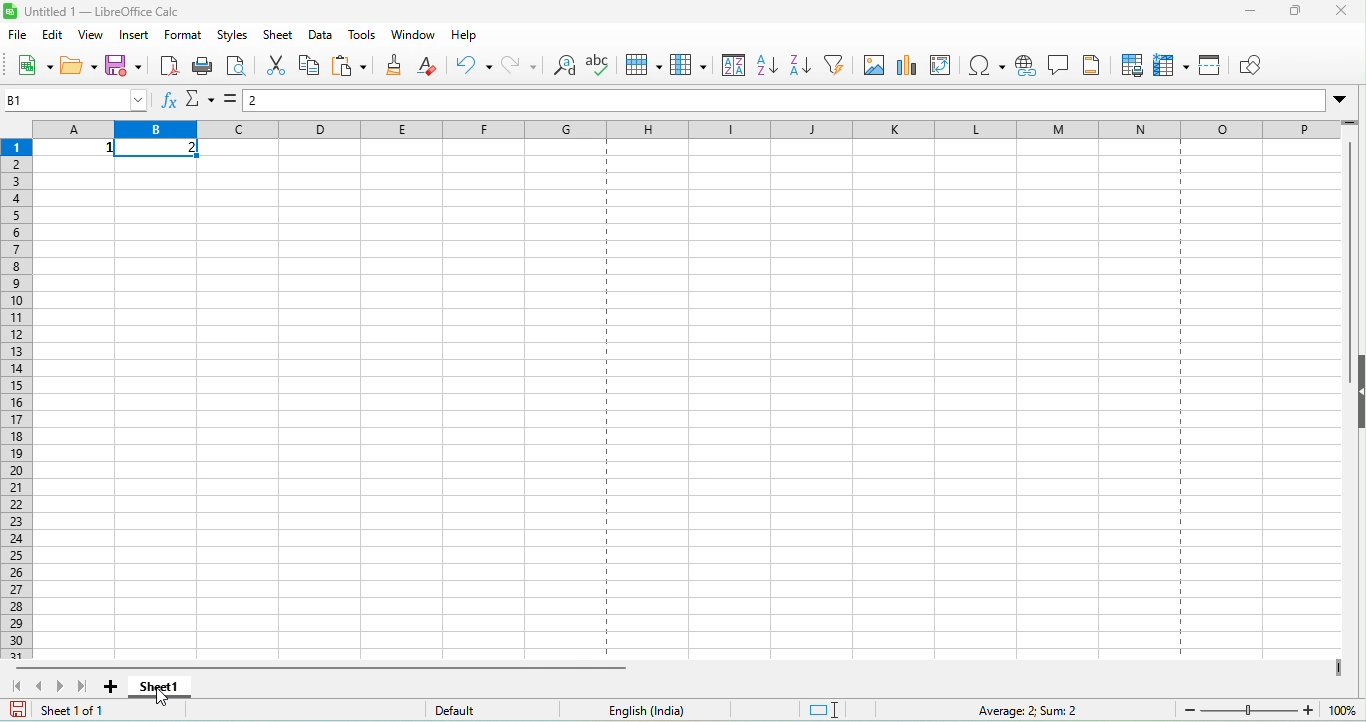  I want to click on show draw function, so click(1258, 65).